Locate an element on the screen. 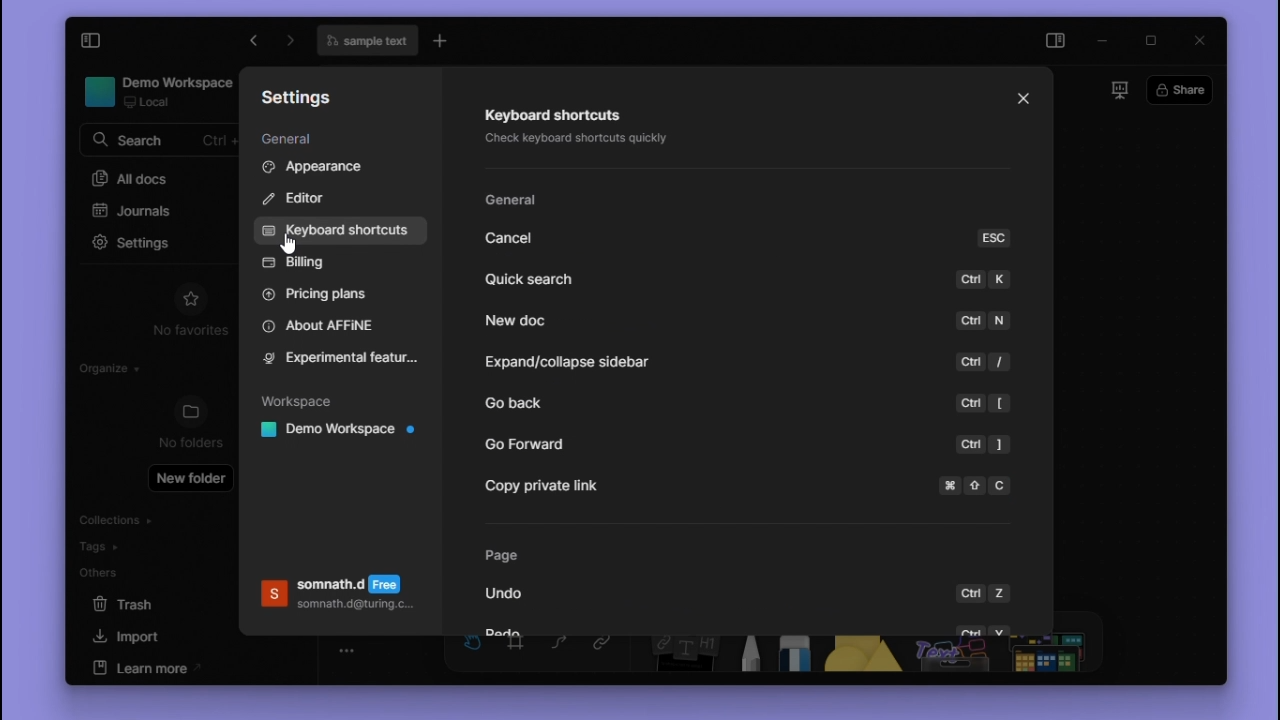  organize is located at coordinates (102, 365).